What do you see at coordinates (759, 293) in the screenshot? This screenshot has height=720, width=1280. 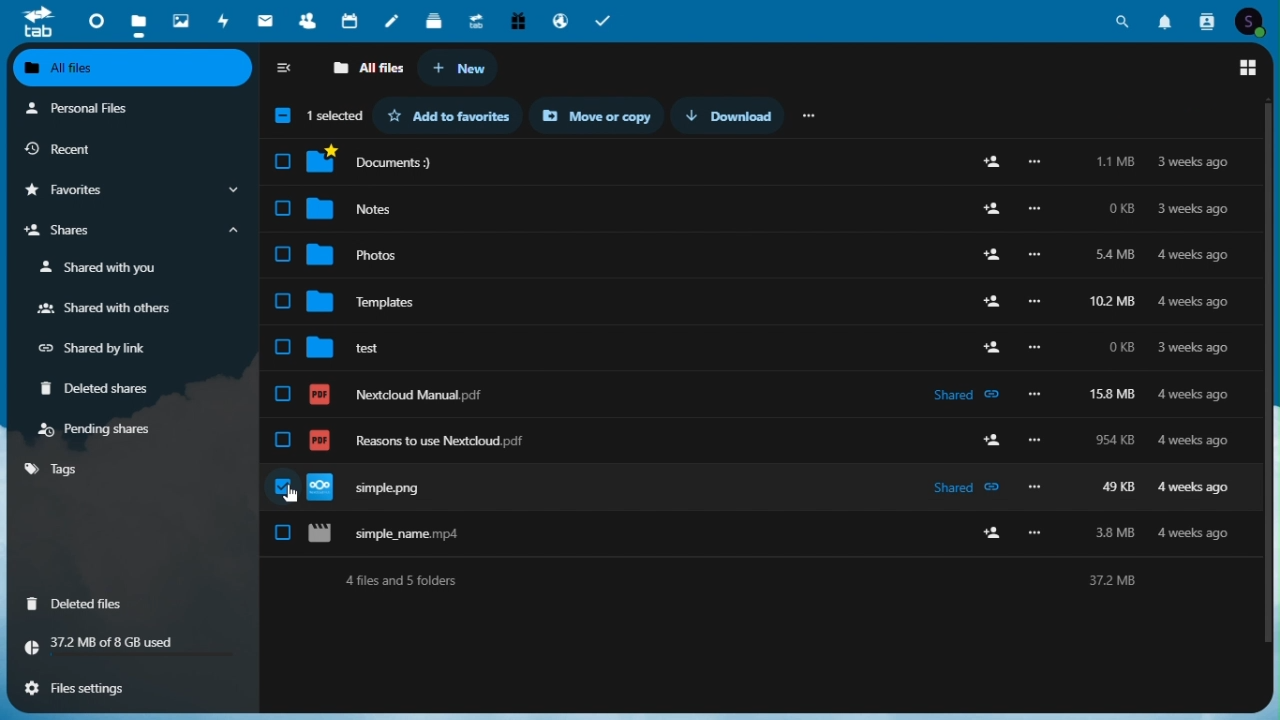 I see `Templates 102 MB 4 weeks ago` at bounding box center [759, 293].